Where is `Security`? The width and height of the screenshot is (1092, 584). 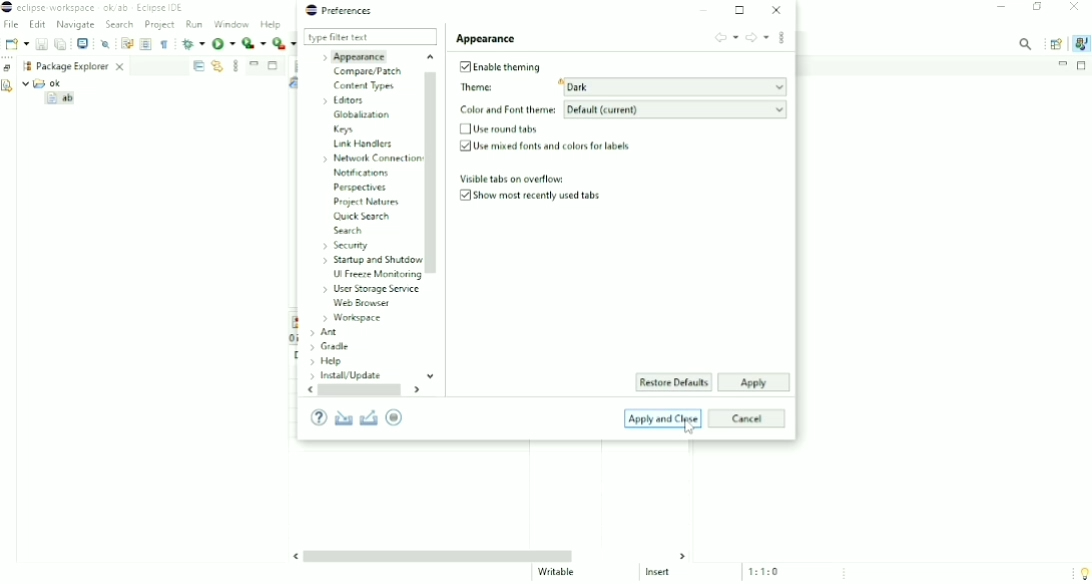
Security is located at coordinates (345, 244).